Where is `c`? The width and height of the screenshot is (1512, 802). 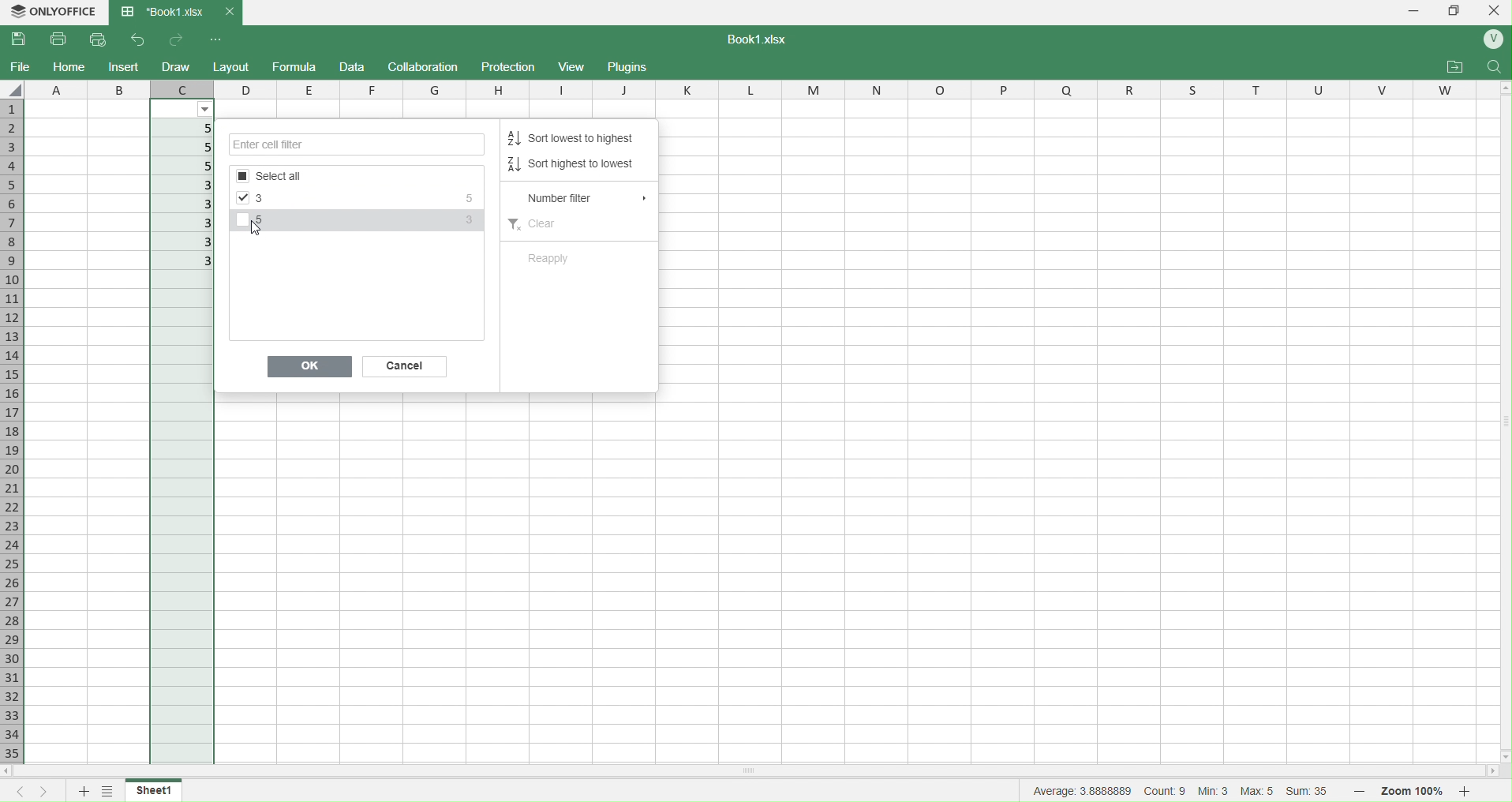
c is located at coordinates (182, 88).